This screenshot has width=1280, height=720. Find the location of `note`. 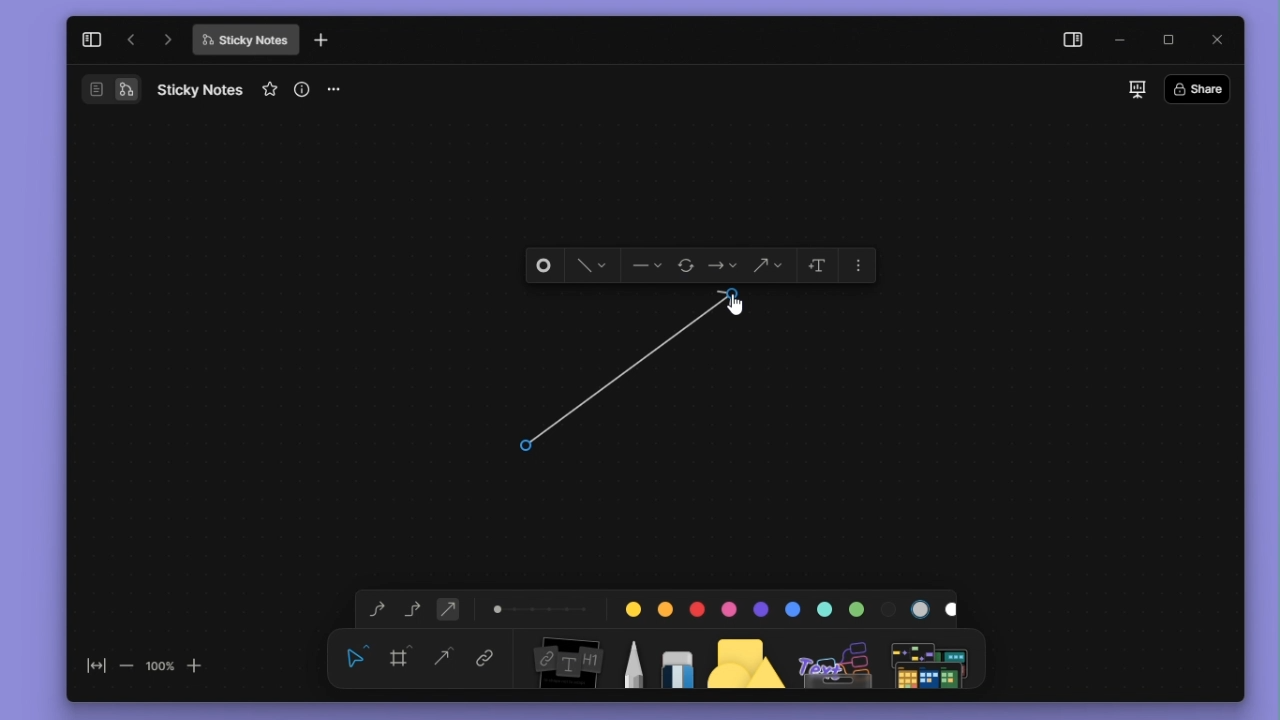

note is located at coordinates (565, 659).